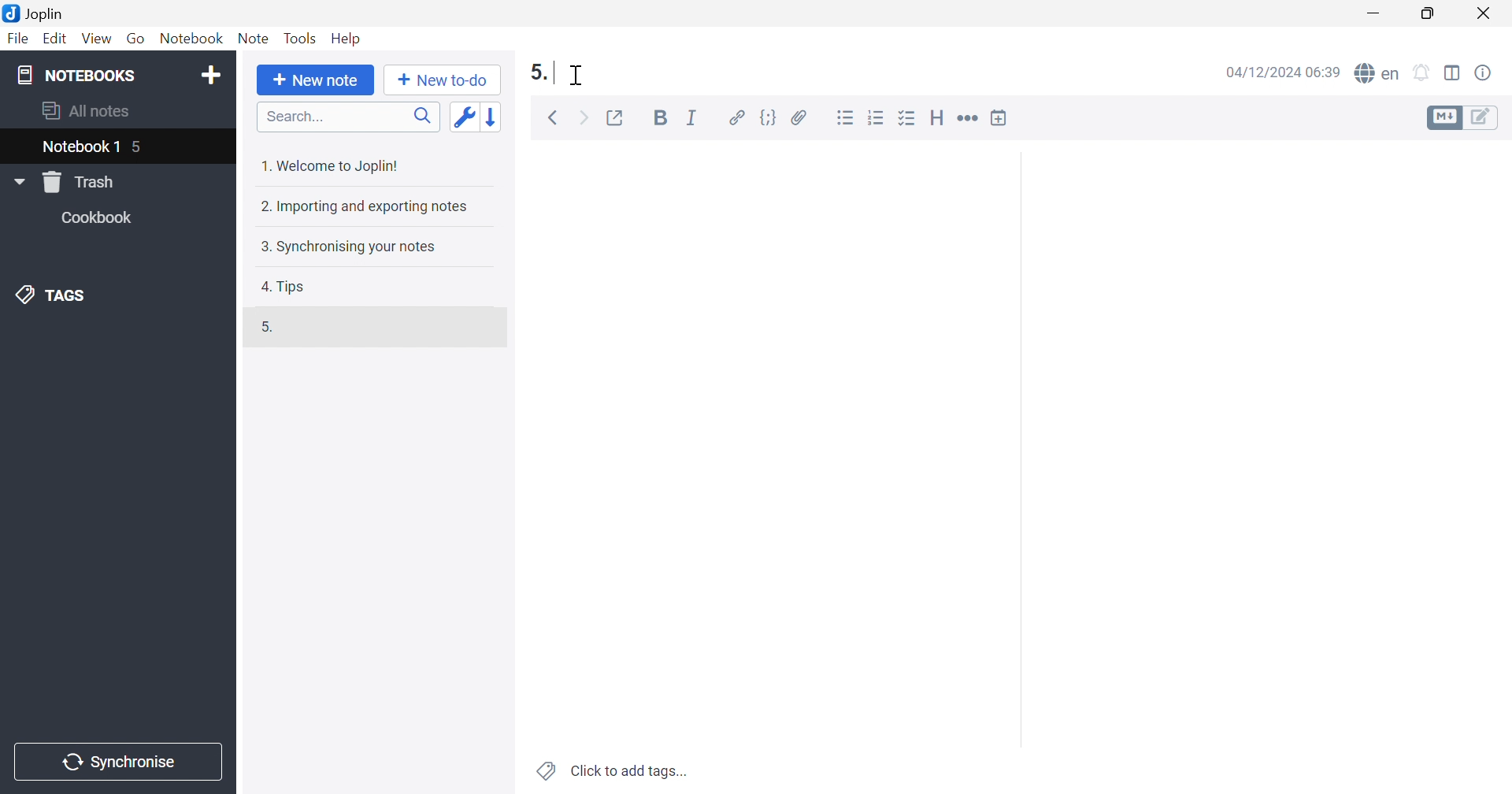 The height and width of the screenshot is (794, 1512). Describe the element at coordinates (347, 246) in the screenshot. I see `3. Synchronising your notes` at that location.